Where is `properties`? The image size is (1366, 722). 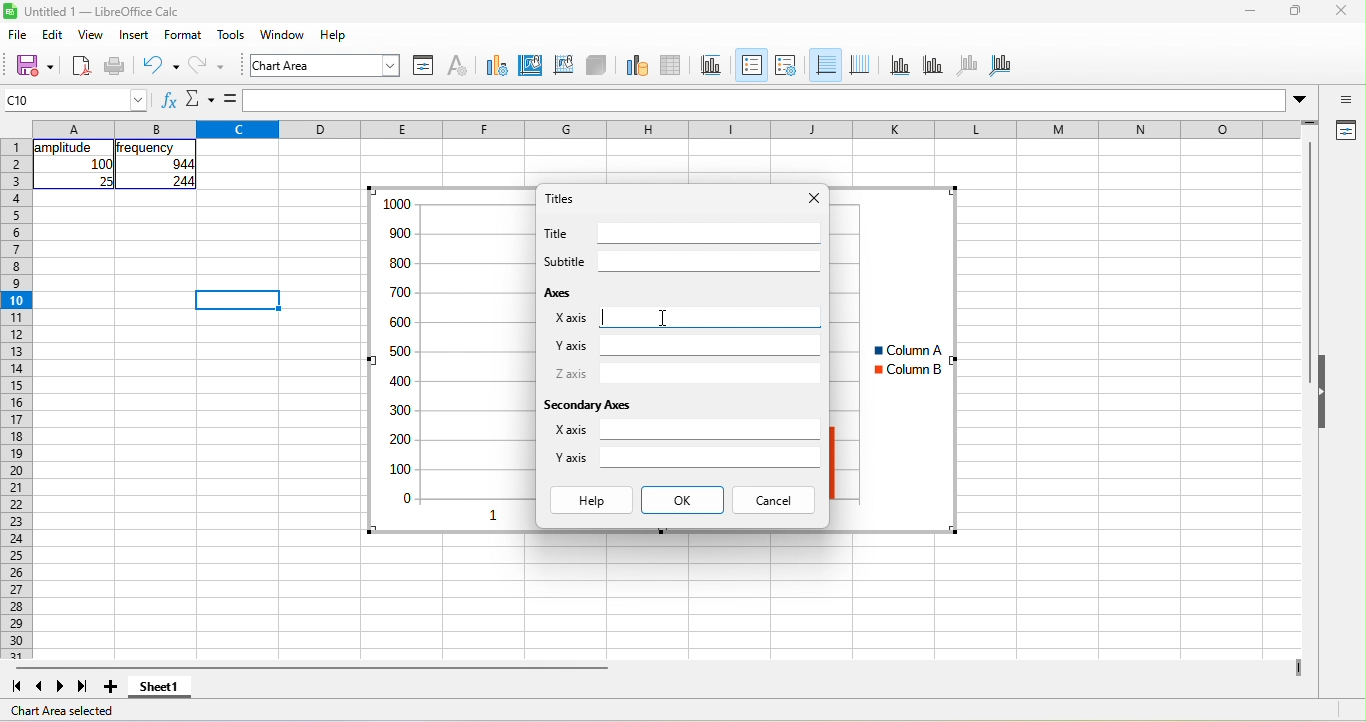
properties is located at coordinates (1344, 131).